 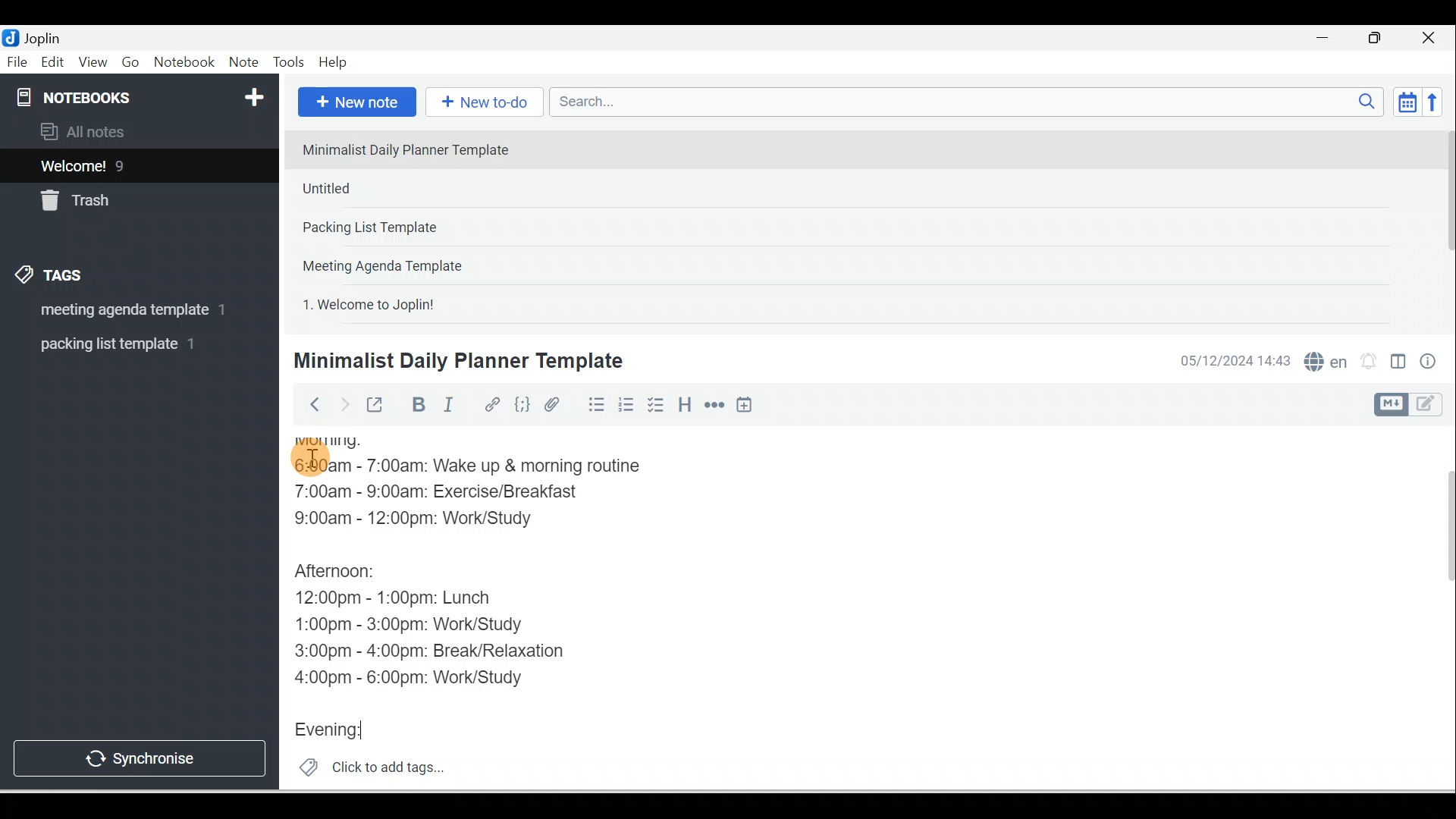 I want to click on New to-do, so click(x=481, y=103).